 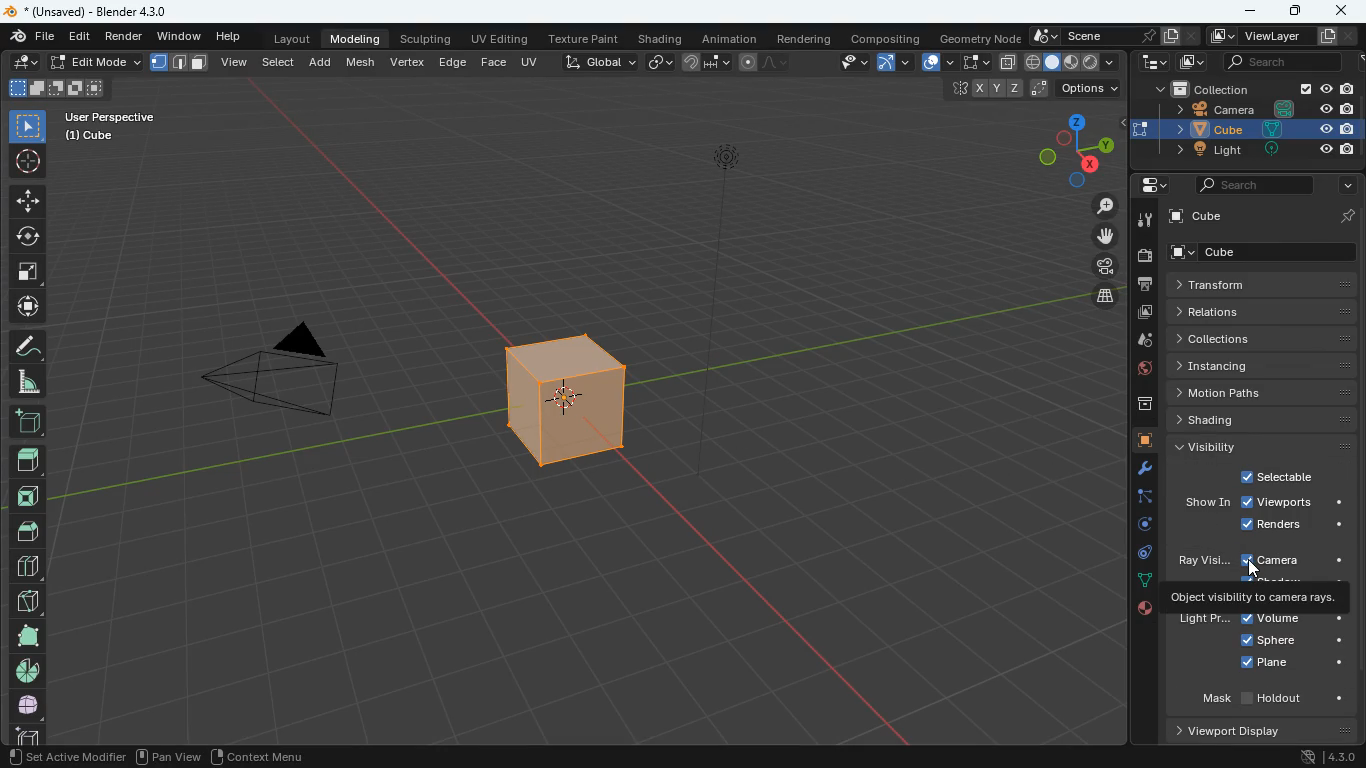 I want to click on control, so click(x=1138, y=554).